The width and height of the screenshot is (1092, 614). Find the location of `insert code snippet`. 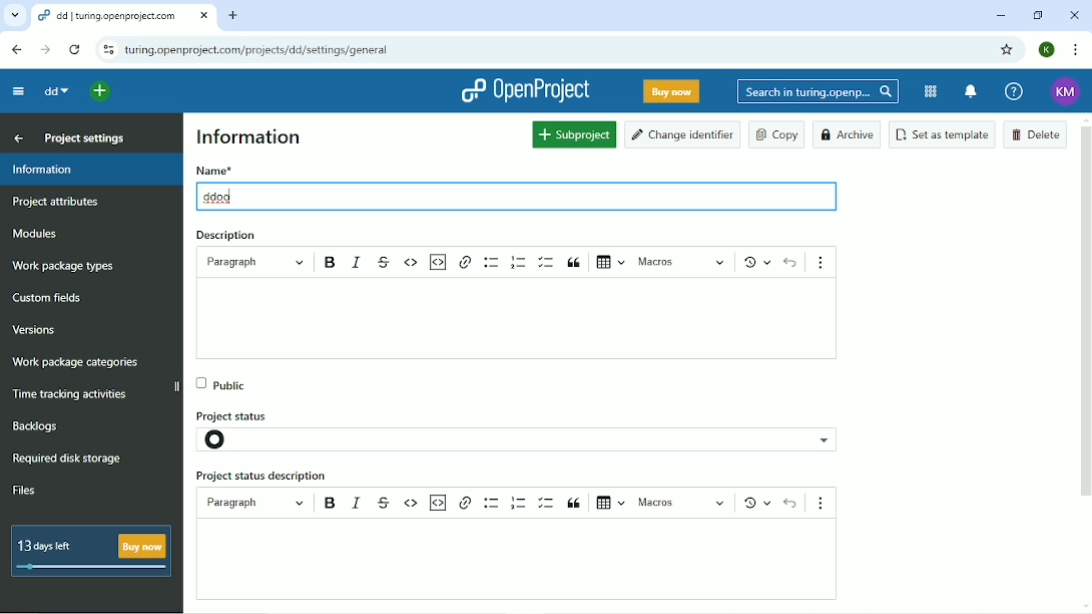

insert code snippet is located at coordinates (439, 501).